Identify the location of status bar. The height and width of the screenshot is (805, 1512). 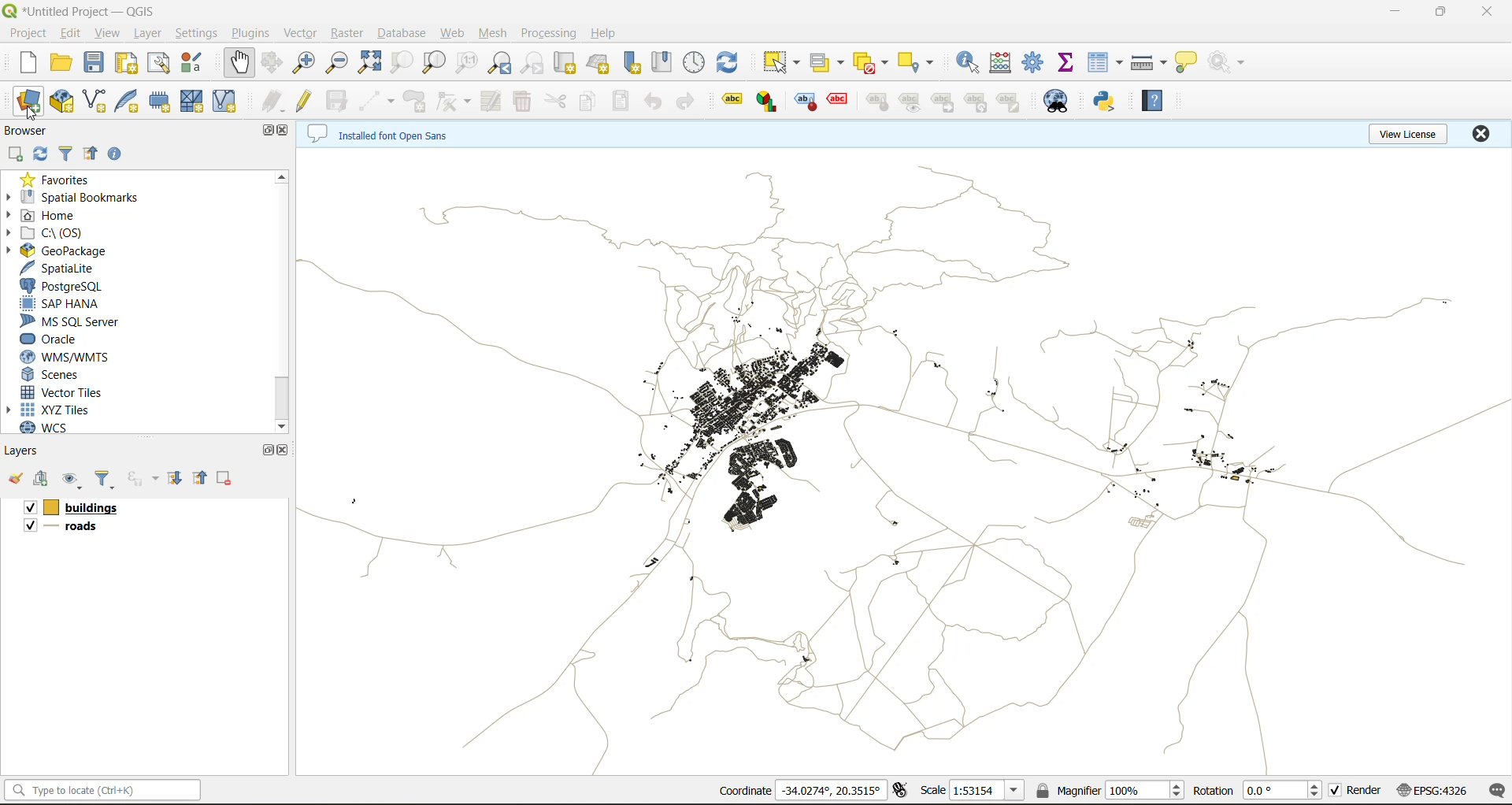
(100, 789).